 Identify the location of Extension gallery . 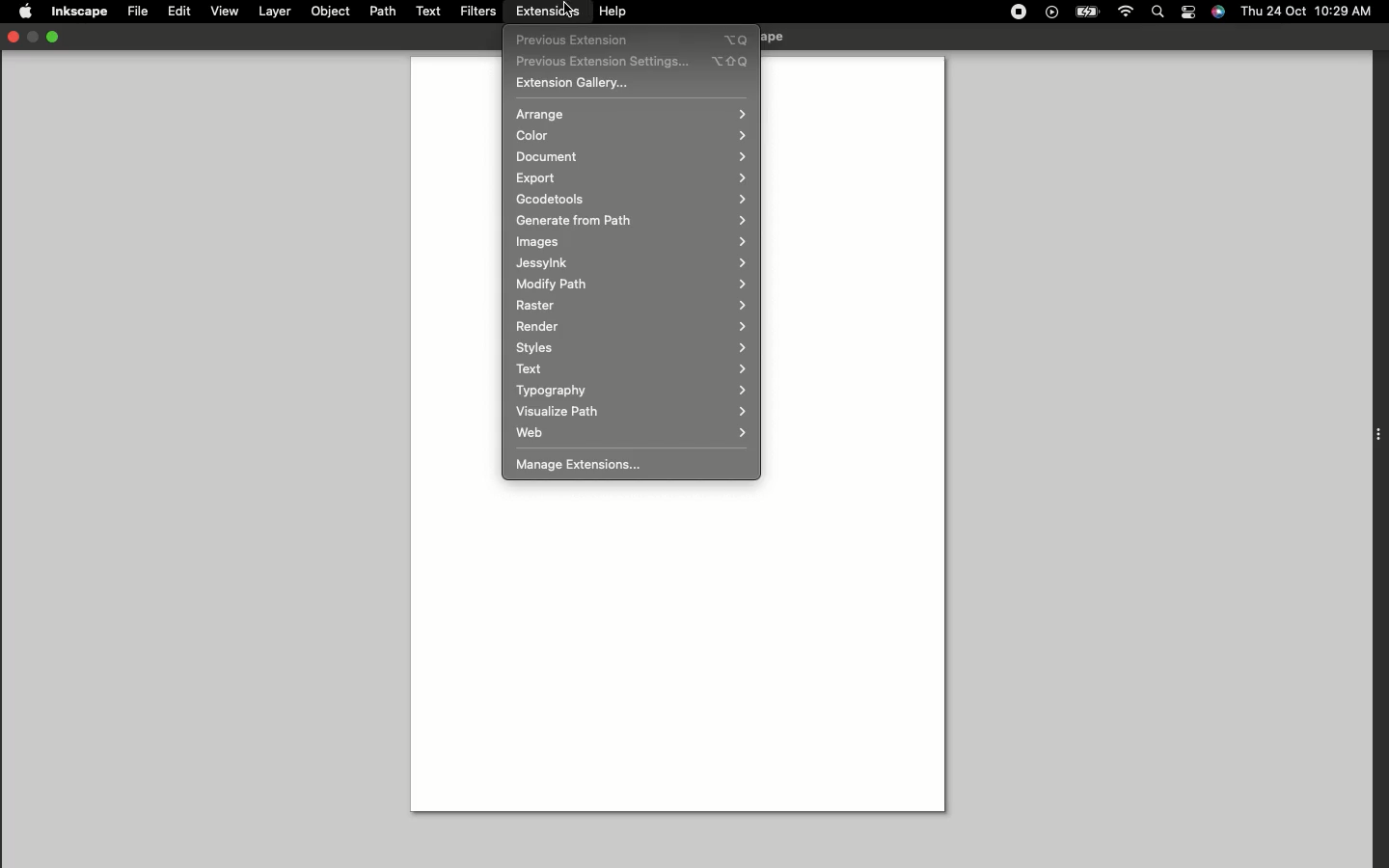
(576, 83).